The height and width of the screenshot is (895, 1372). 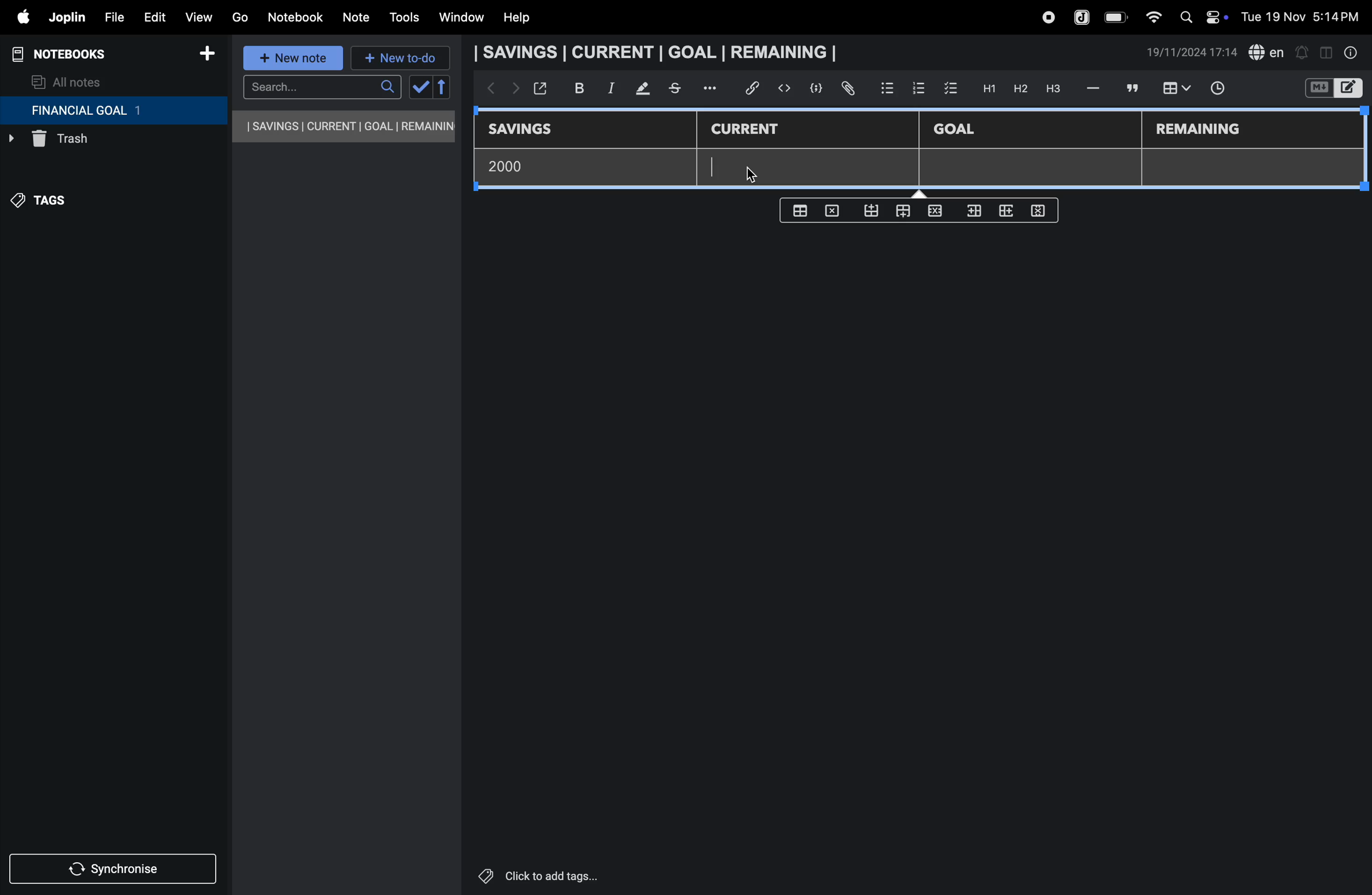 I want to click on itallic, so click(x=609, y=88).